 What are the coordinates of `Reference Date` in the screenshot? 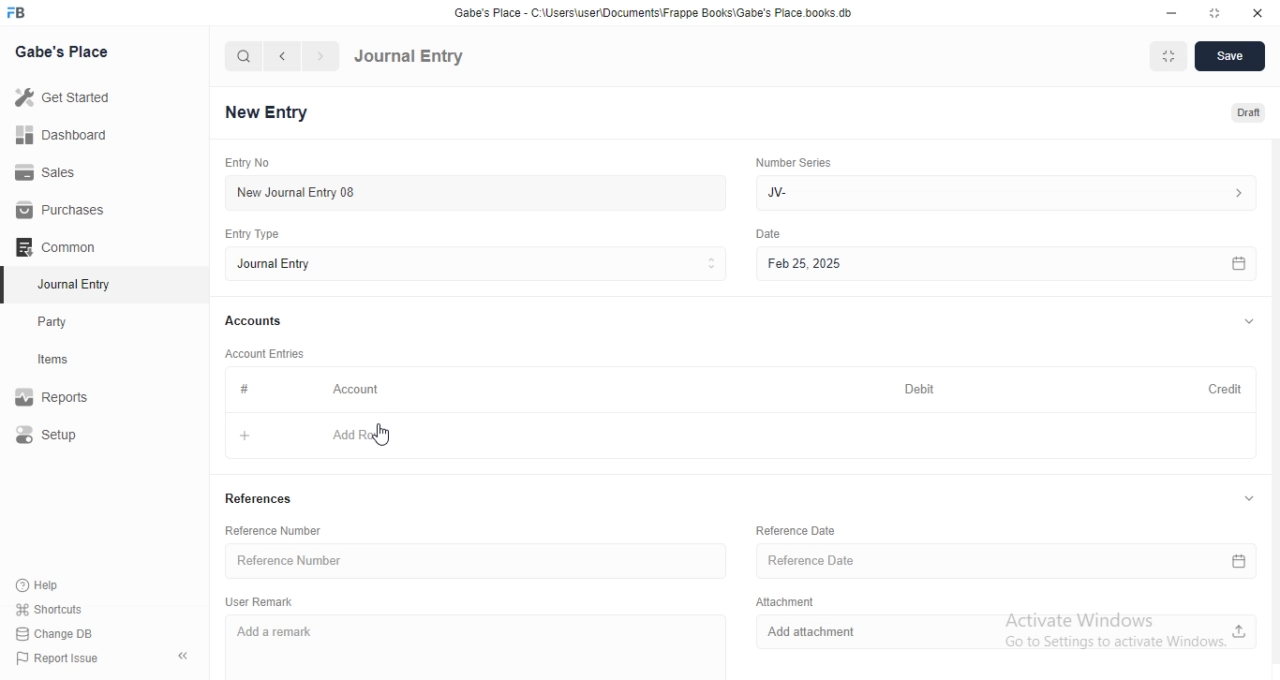 It's located at (1004, 561).